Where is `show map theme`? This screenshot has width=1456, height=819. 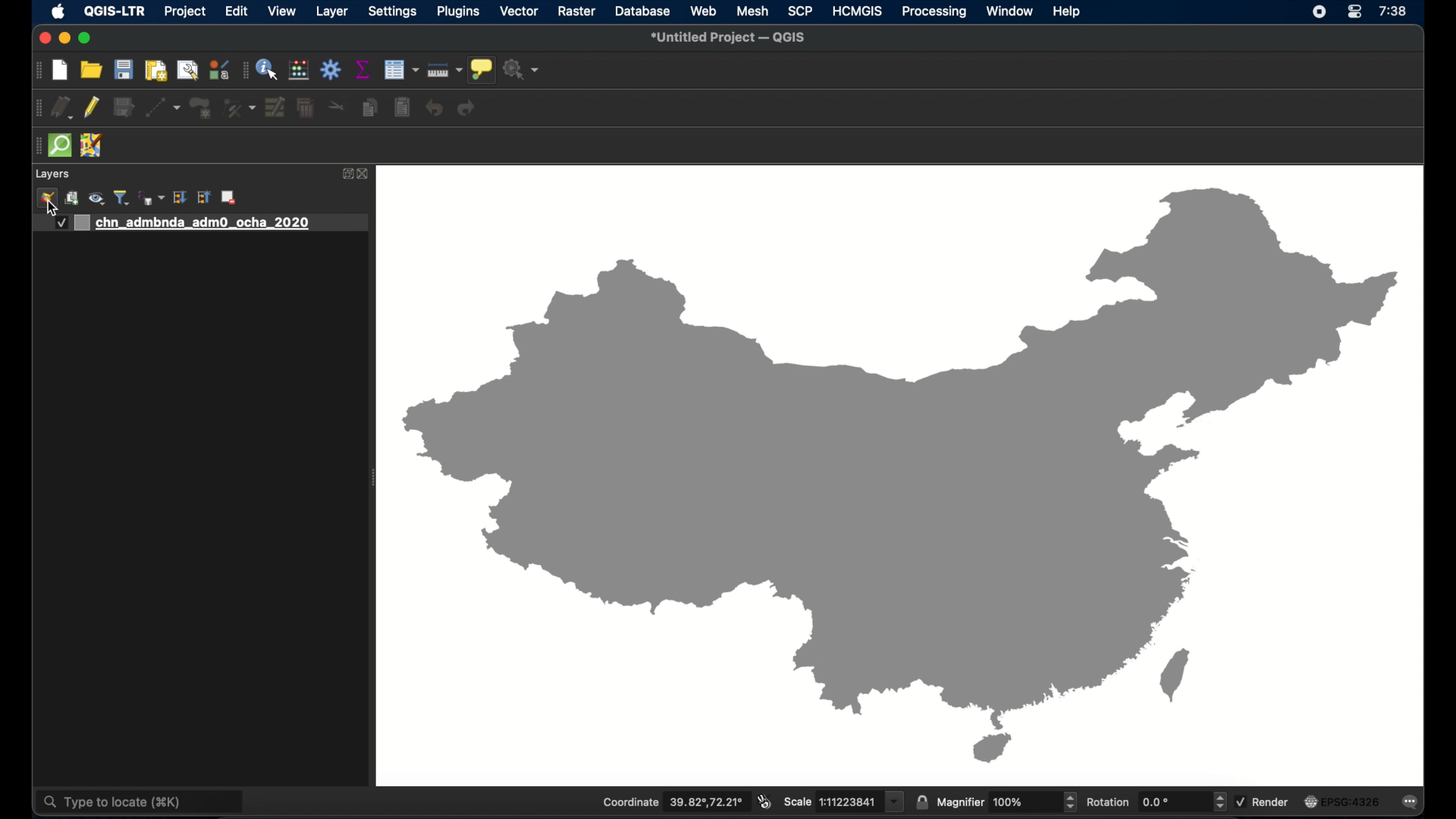
show map theme is located at coordinates (98, 199).